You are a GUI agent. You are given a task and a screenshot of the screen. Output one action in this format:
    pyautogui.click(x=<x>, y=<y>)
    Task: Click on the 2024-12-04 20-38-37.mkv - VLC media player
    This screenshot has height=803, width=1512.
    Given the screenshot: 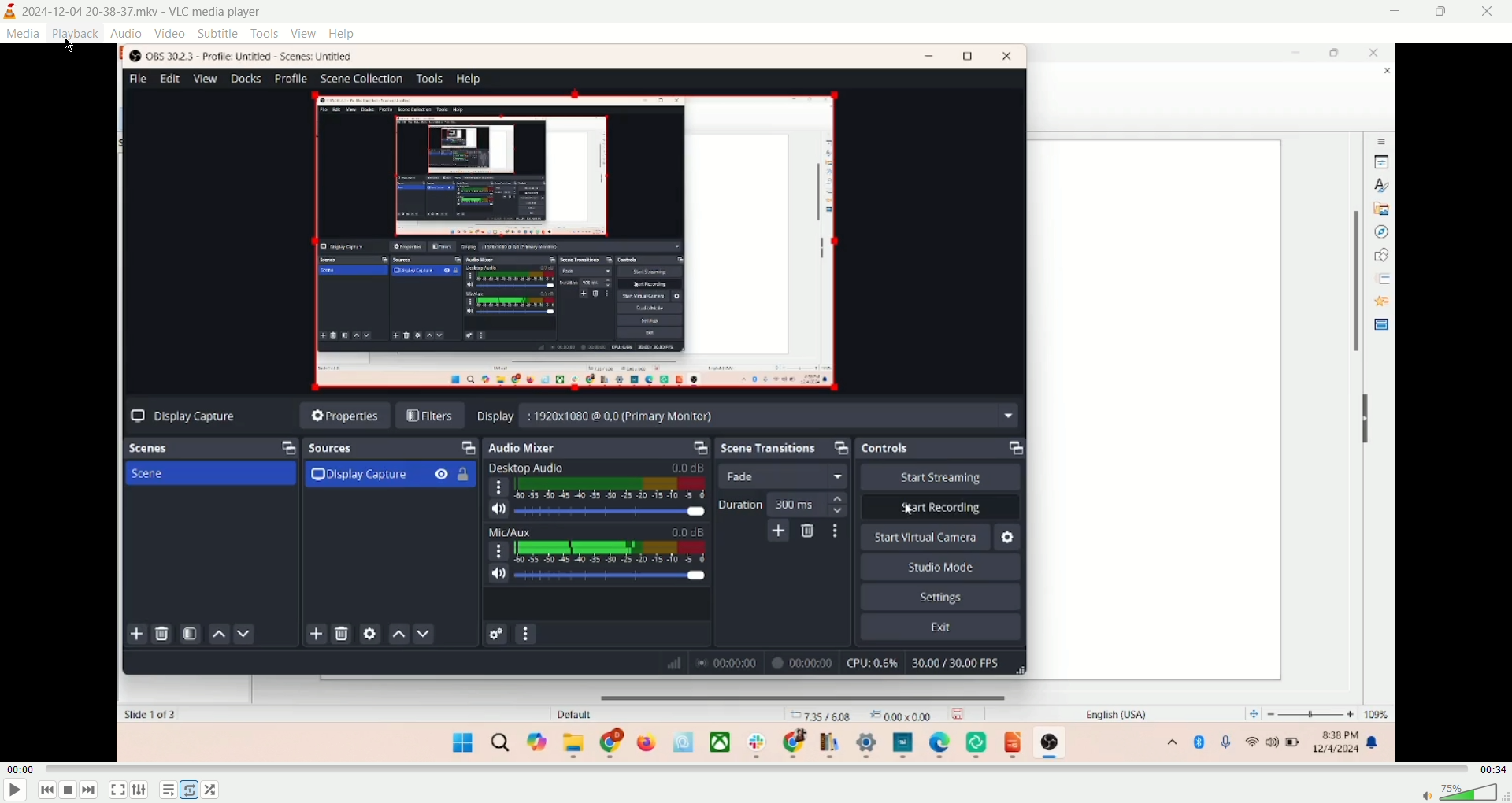 What is the action you would take?
    pyautogui.click(x=147, y=10)
    